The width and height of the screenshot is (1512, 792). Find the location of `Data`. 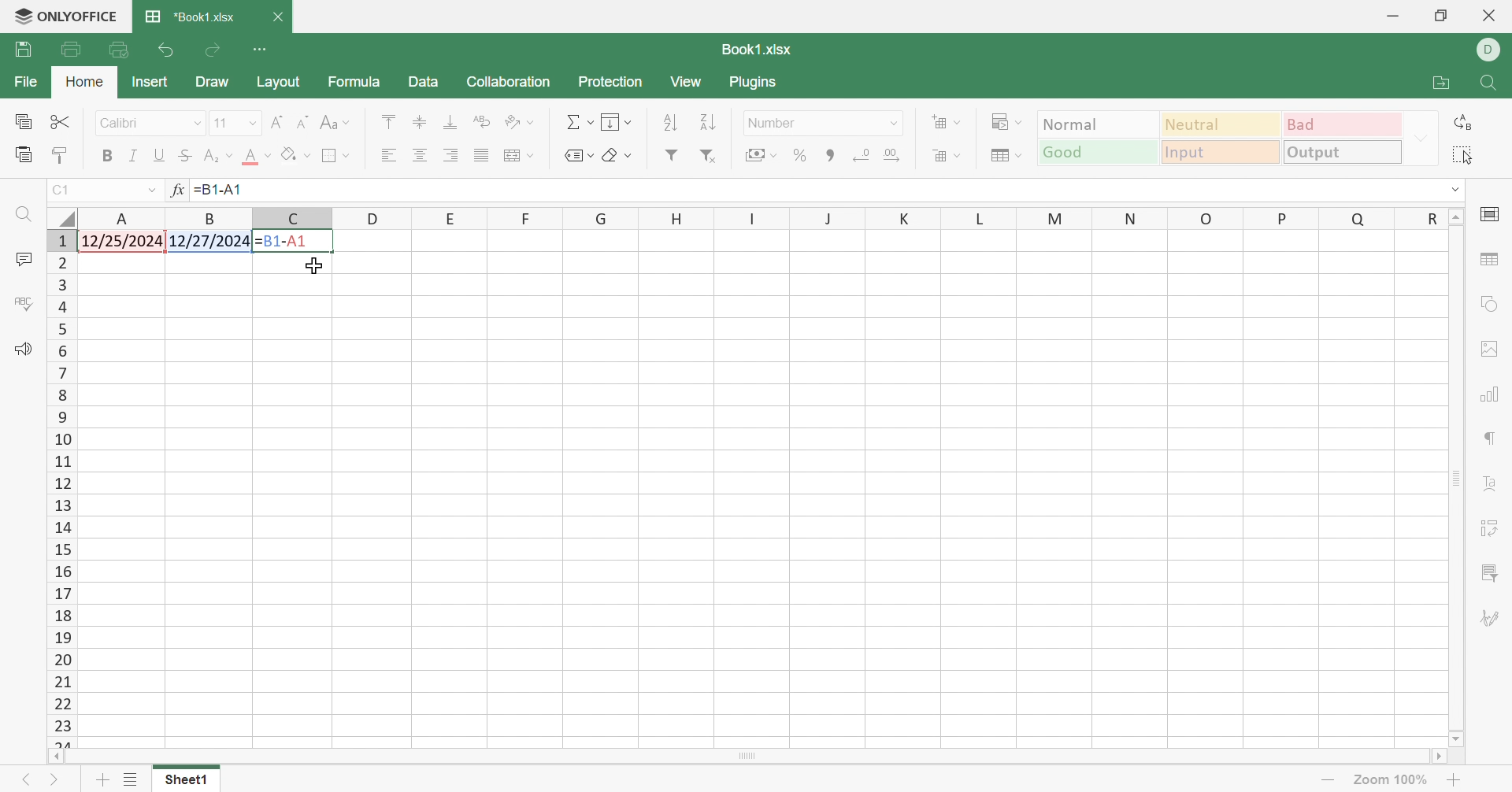

Data is located at coordinates (424, 81).